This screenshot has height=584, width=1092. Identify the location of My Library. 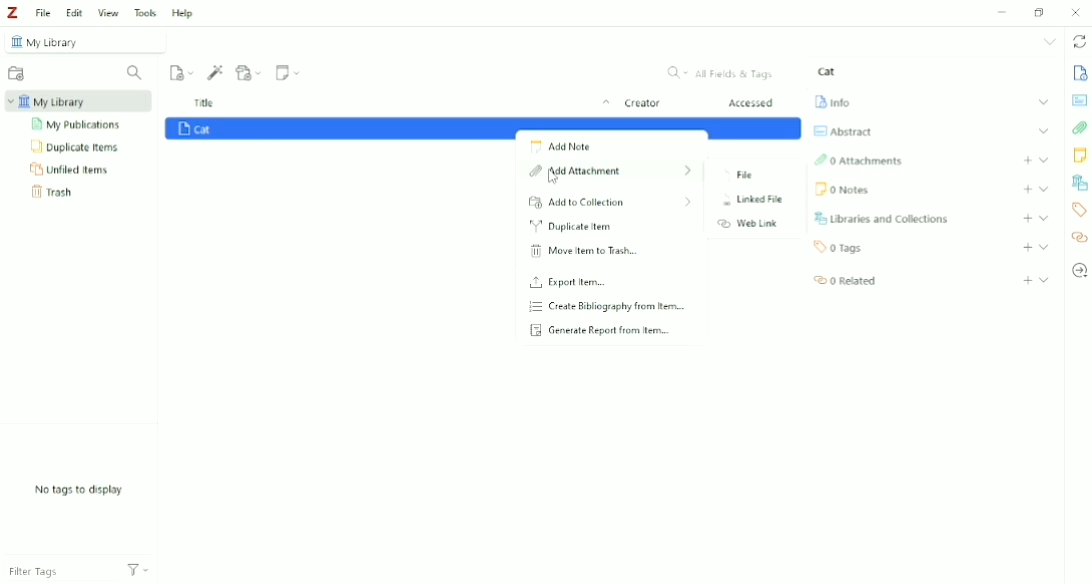
(87, 41).